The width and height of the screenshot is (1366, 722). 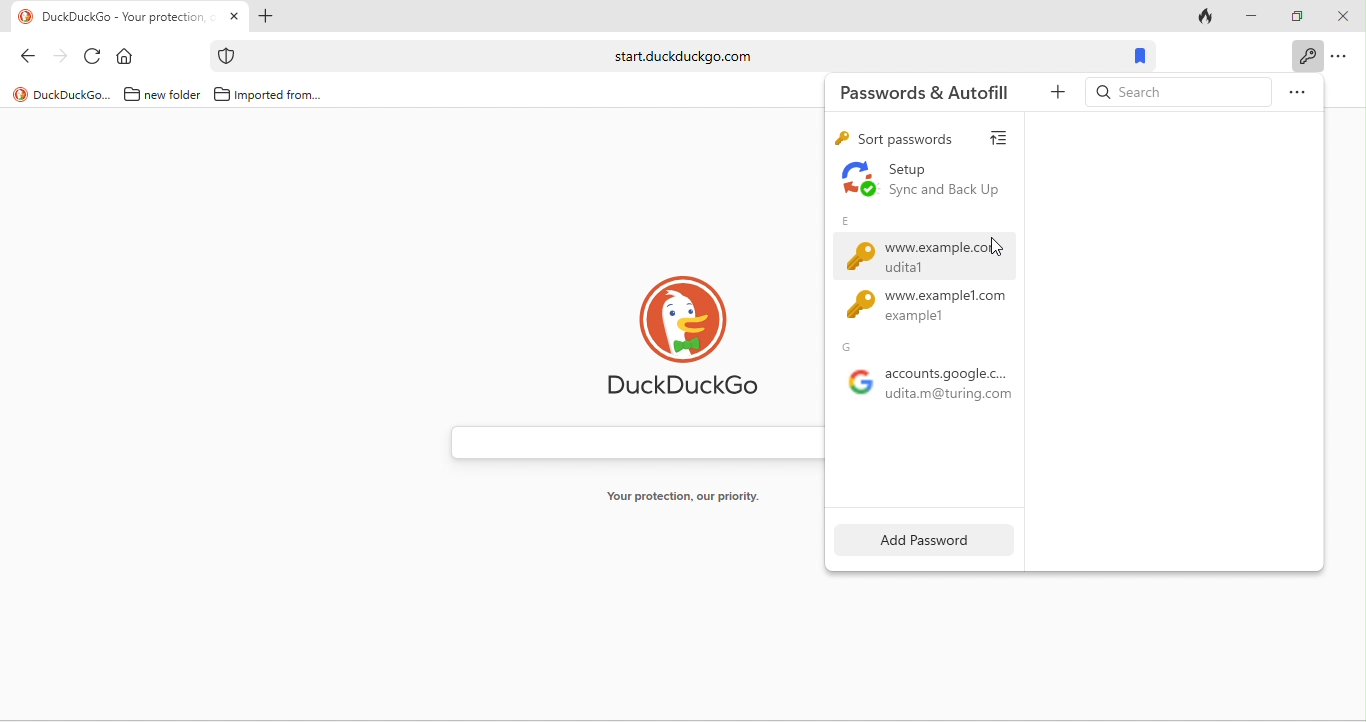 I want to click on cursor, so click(x=997, y=249).